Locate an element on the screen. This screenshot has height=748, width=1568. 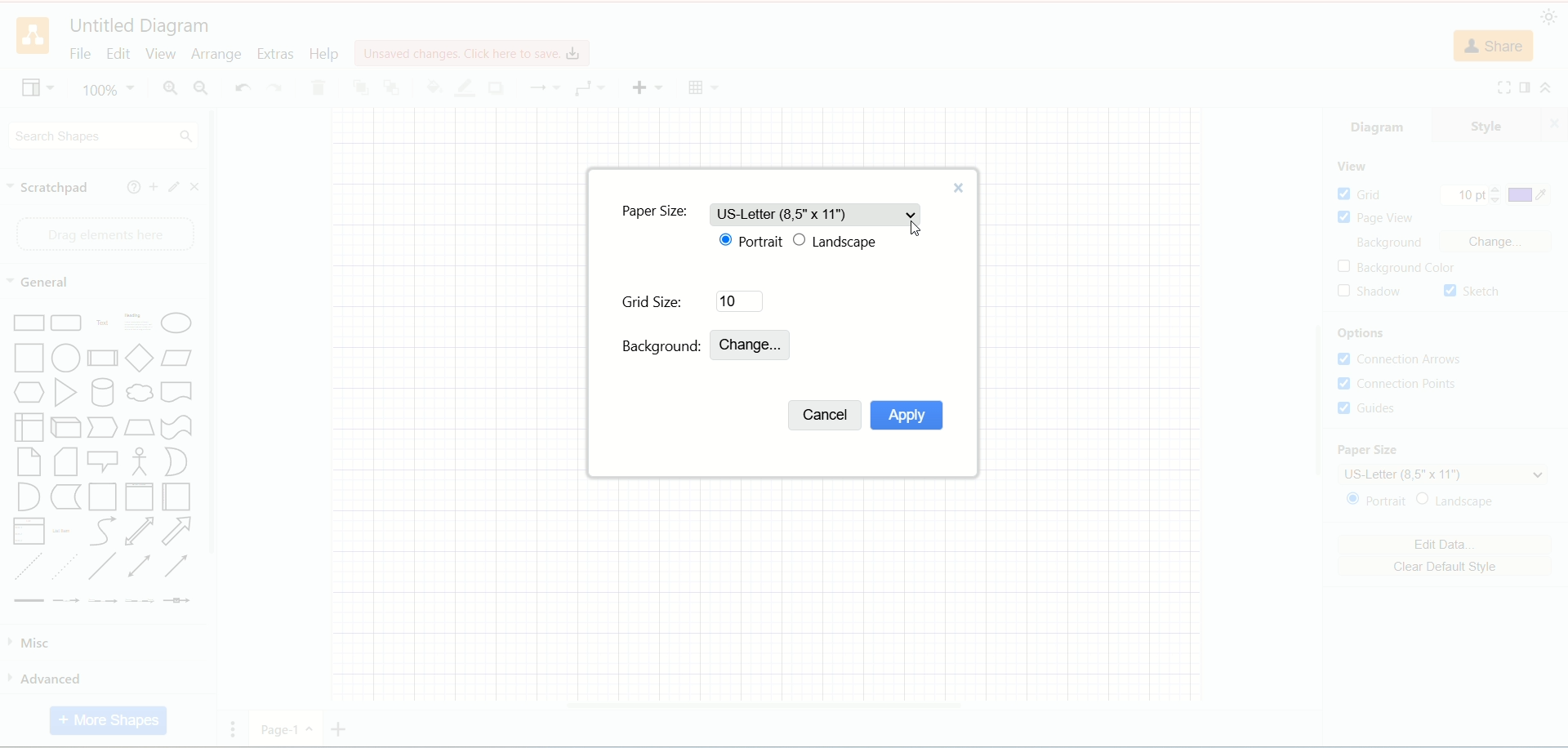
Data Storage is located at coordinates (65, 498).